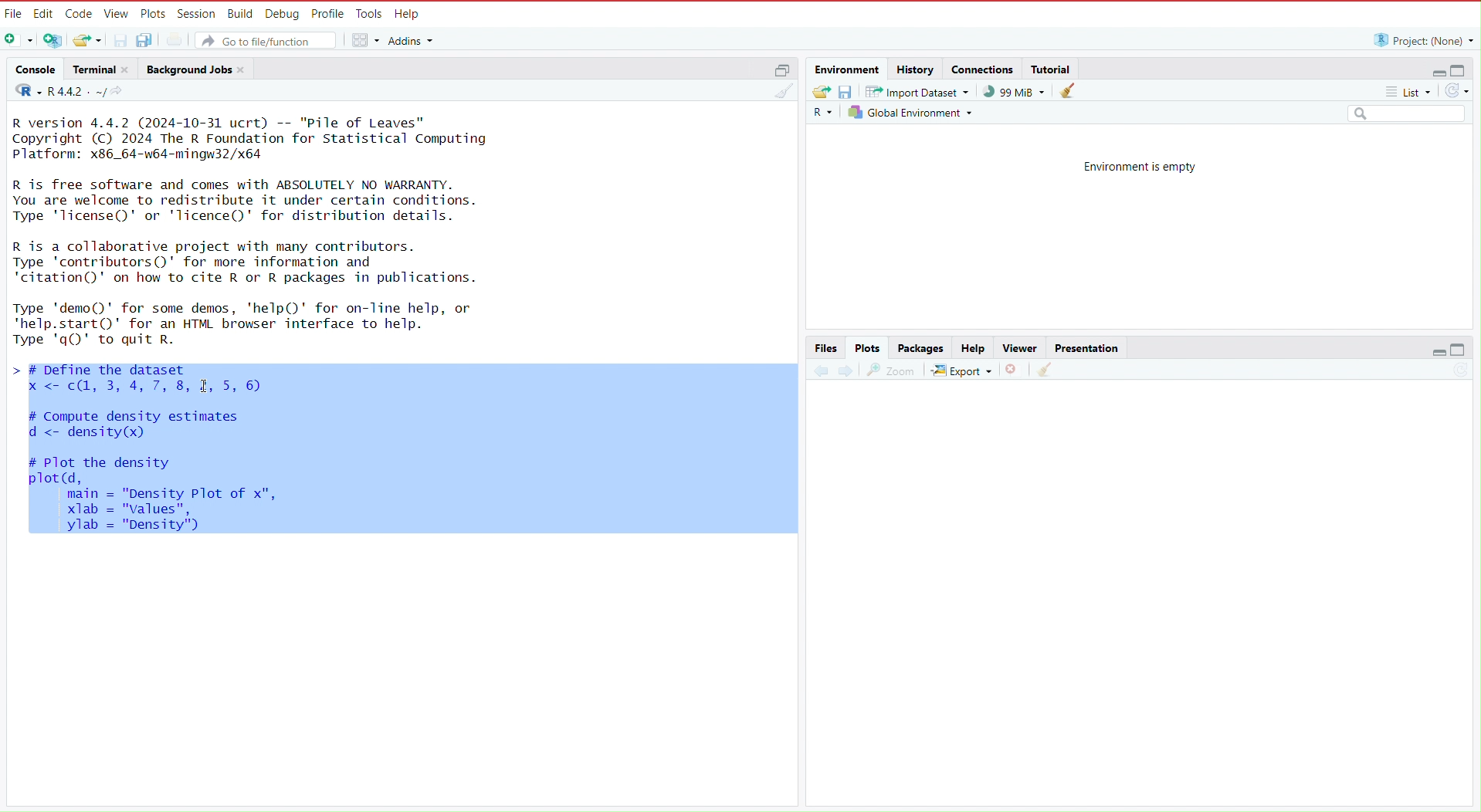  What do you see at coordinates (961, 370) in the screenshot?
I see `export` at bounding box center [961, 370].